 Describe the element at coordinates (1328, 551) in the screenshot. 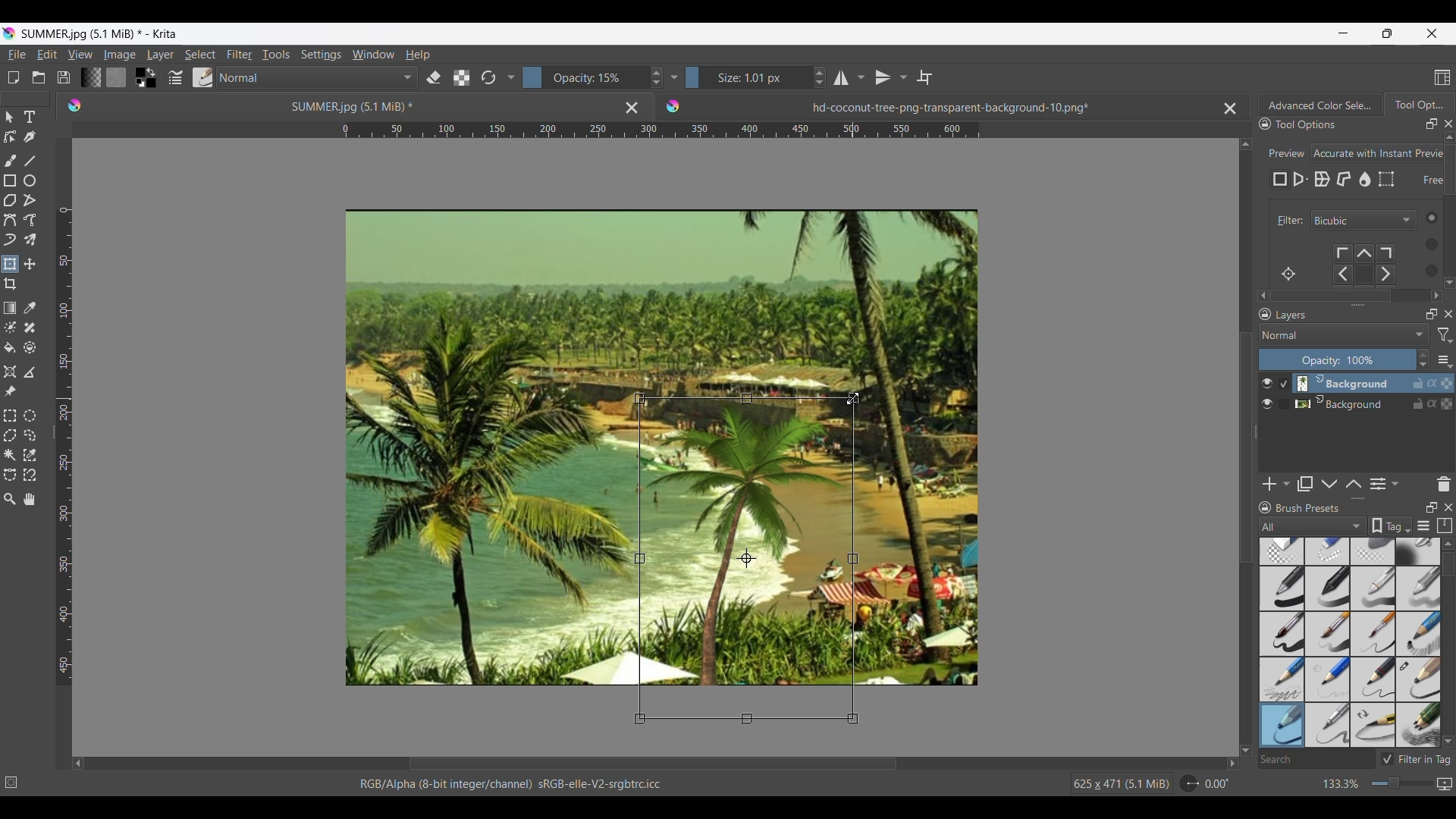

I see `Eraser small` at that location.